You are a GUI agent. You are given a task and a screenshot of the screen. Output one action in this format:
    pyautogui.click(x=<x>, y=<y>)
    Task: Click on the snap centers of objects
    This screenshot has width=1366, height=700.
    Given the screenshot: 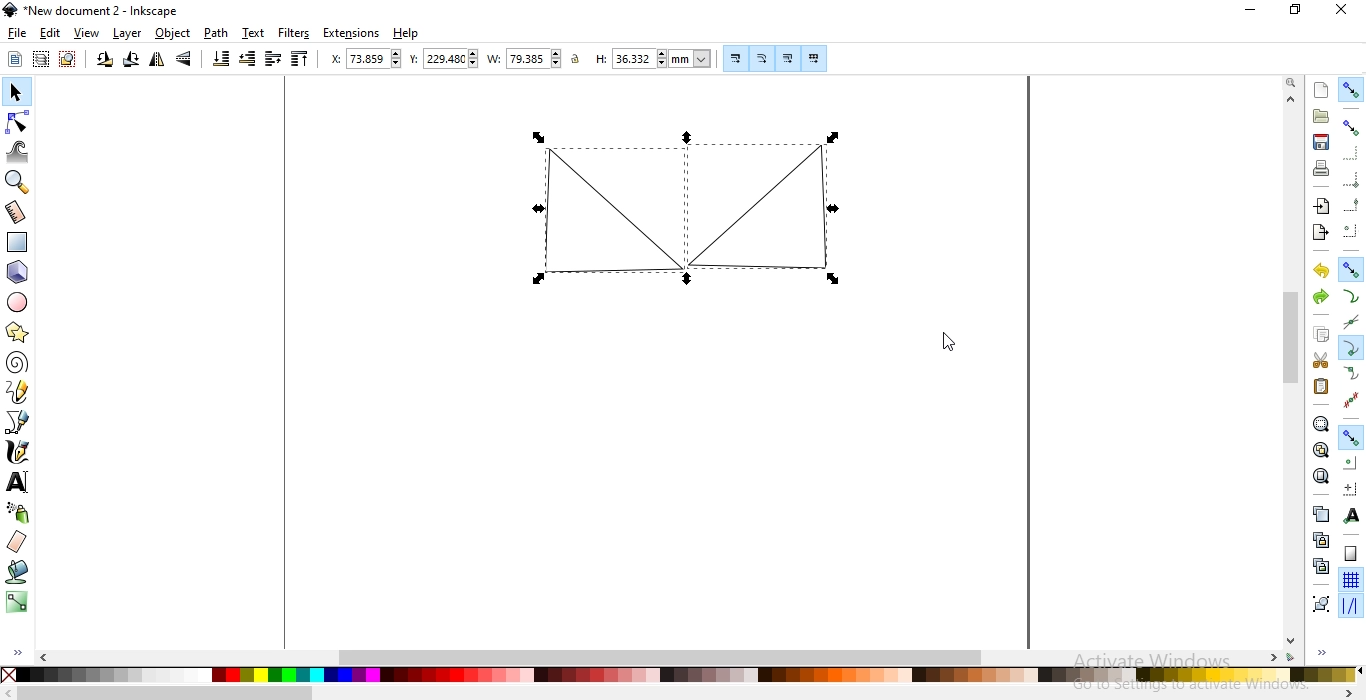 What is the action you would take?
    pyautogui.click(x=1351, y=462)
    